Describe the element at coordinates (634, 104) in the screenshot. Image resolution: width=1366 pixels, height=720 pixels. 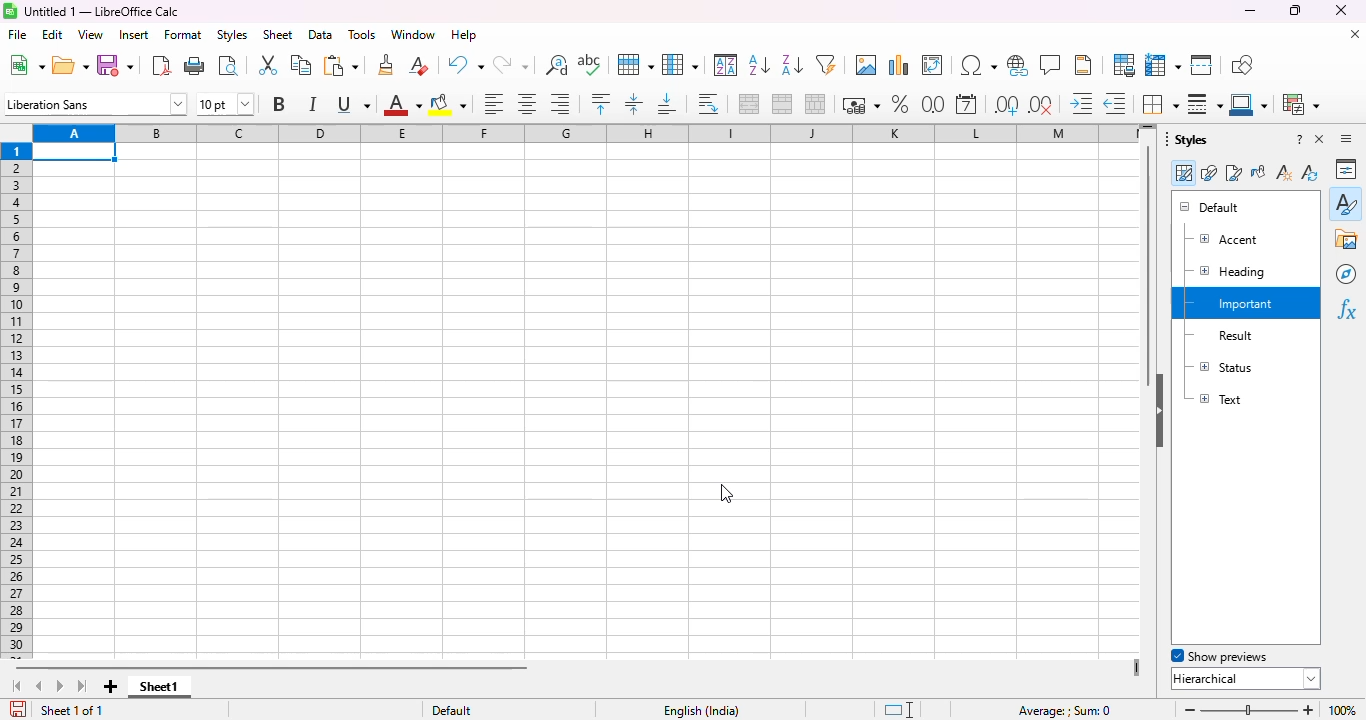
I see `center vertically` at that location.